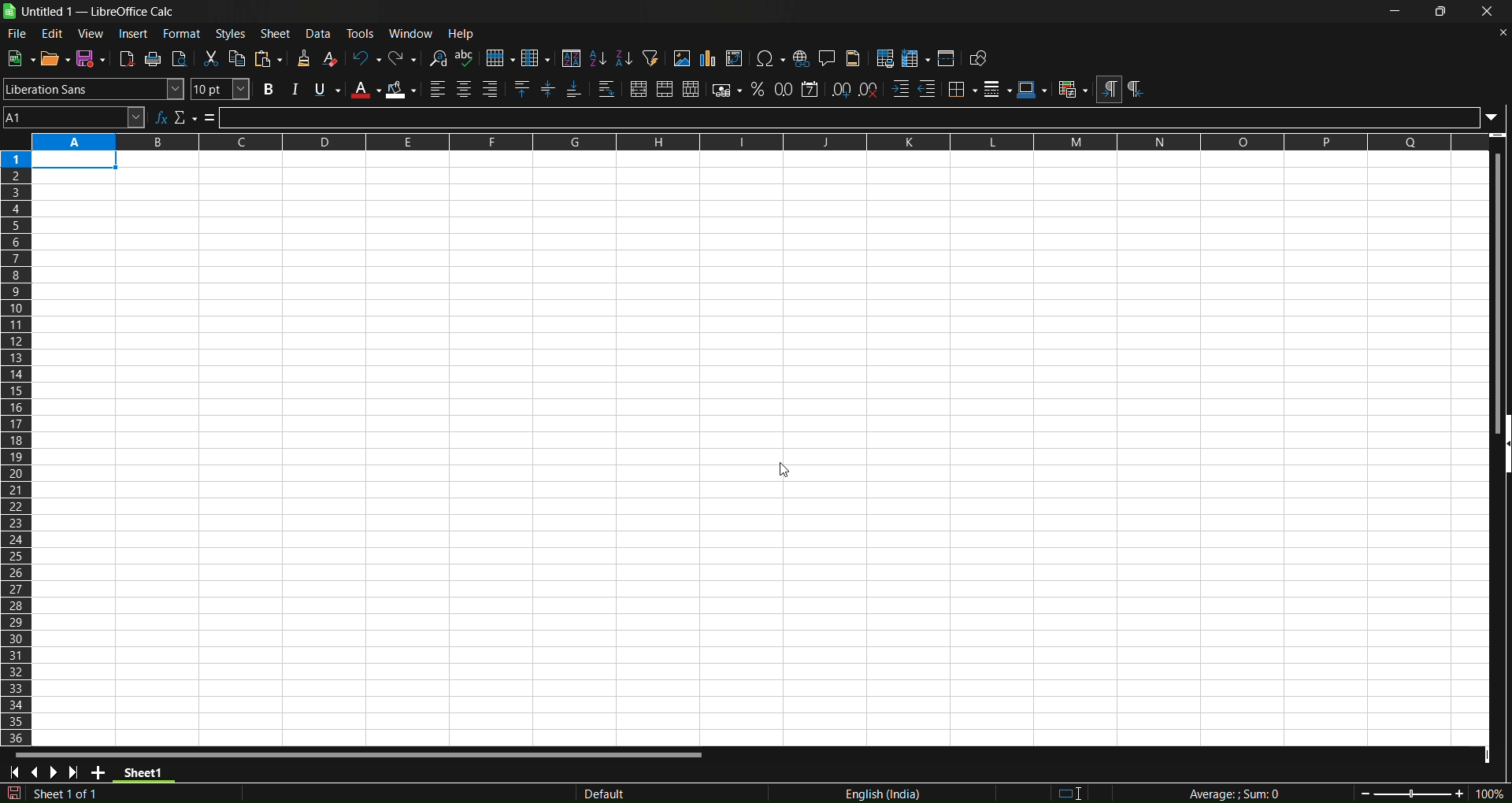 Image resolution: width=1512 pixels, height=803 pixels. I want to click on print, so click(154, 59).